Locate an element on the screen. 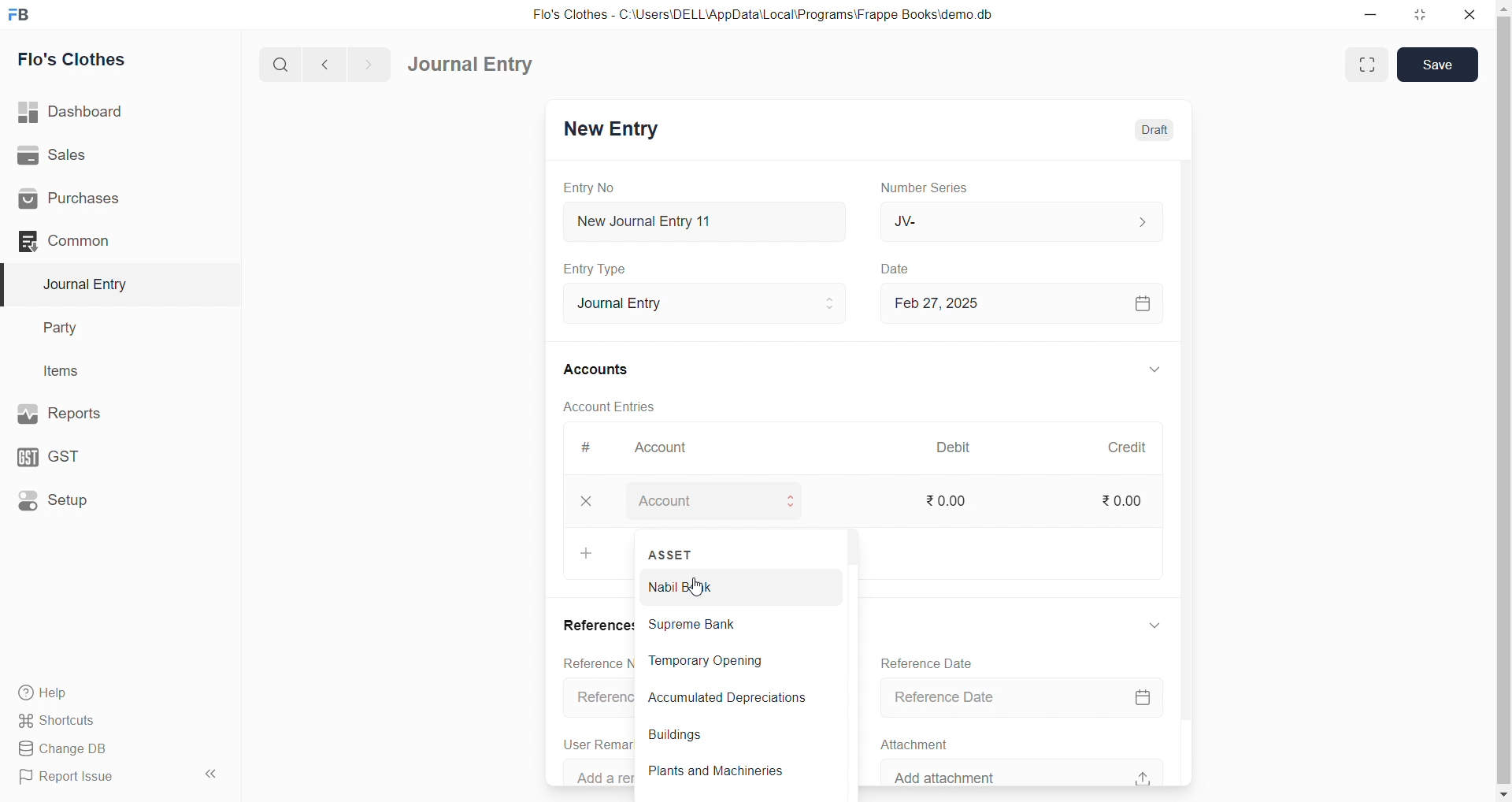 The height and width of the screenshot is (802, 1512). navigate backward is located at coordinates (327, 65).